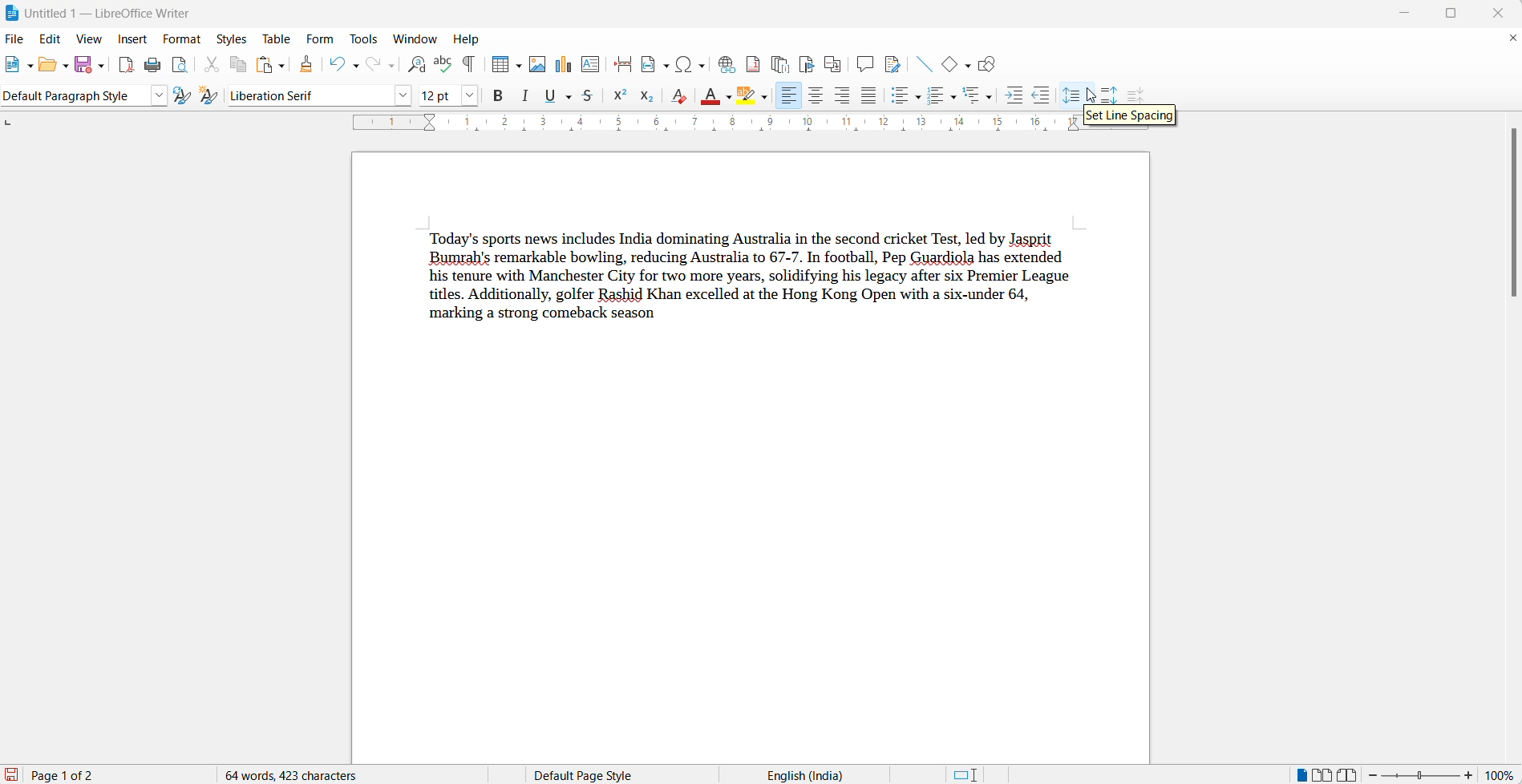 The image size is (1522, 784). Describe the element at coordinates (622, 95) in the screenshot. I see `superscript` at that location.